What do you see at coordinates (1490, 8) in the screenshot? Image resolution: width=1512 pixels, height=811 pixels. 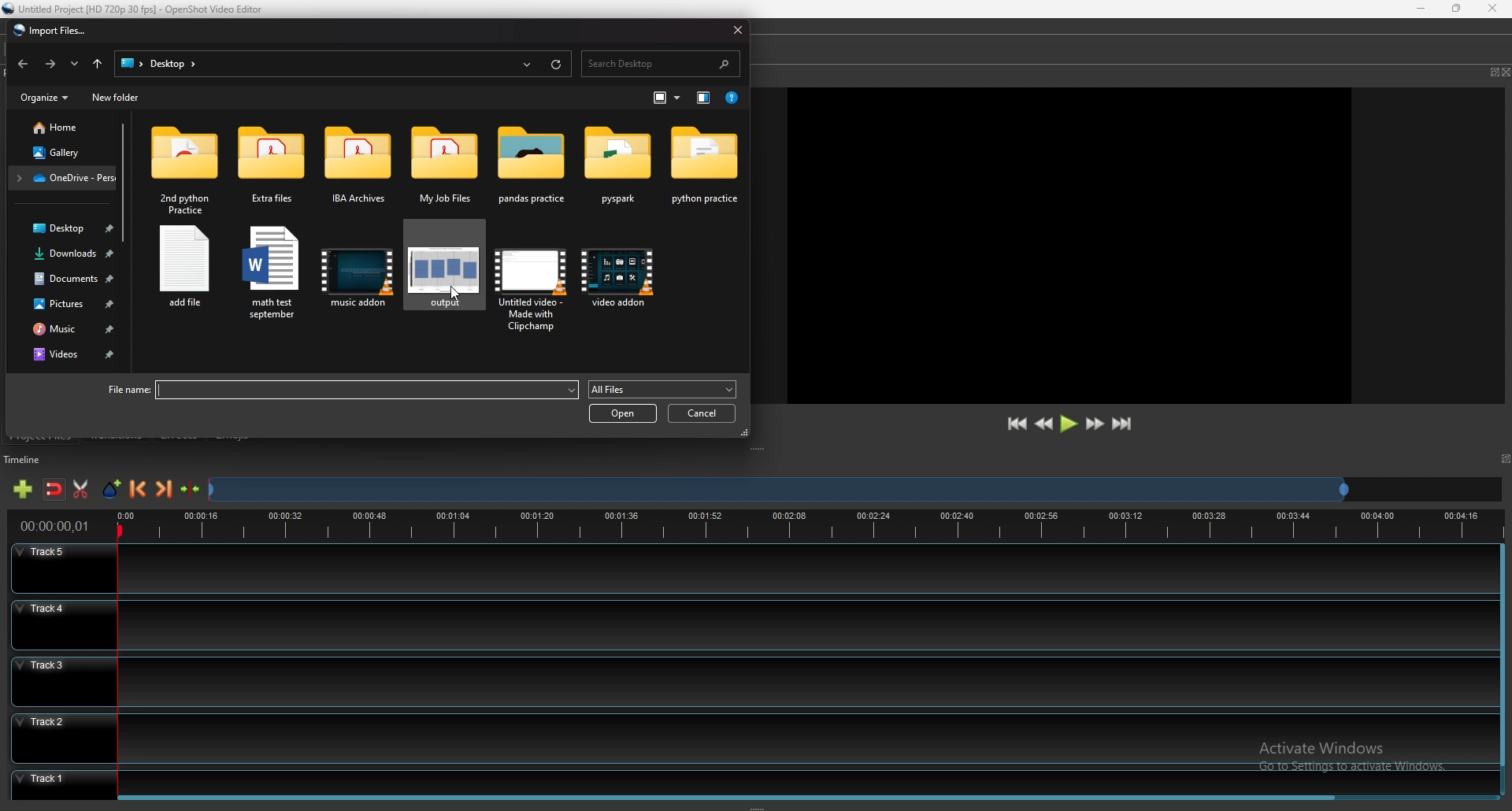 I see `close` at bounding box center [1490, 8].